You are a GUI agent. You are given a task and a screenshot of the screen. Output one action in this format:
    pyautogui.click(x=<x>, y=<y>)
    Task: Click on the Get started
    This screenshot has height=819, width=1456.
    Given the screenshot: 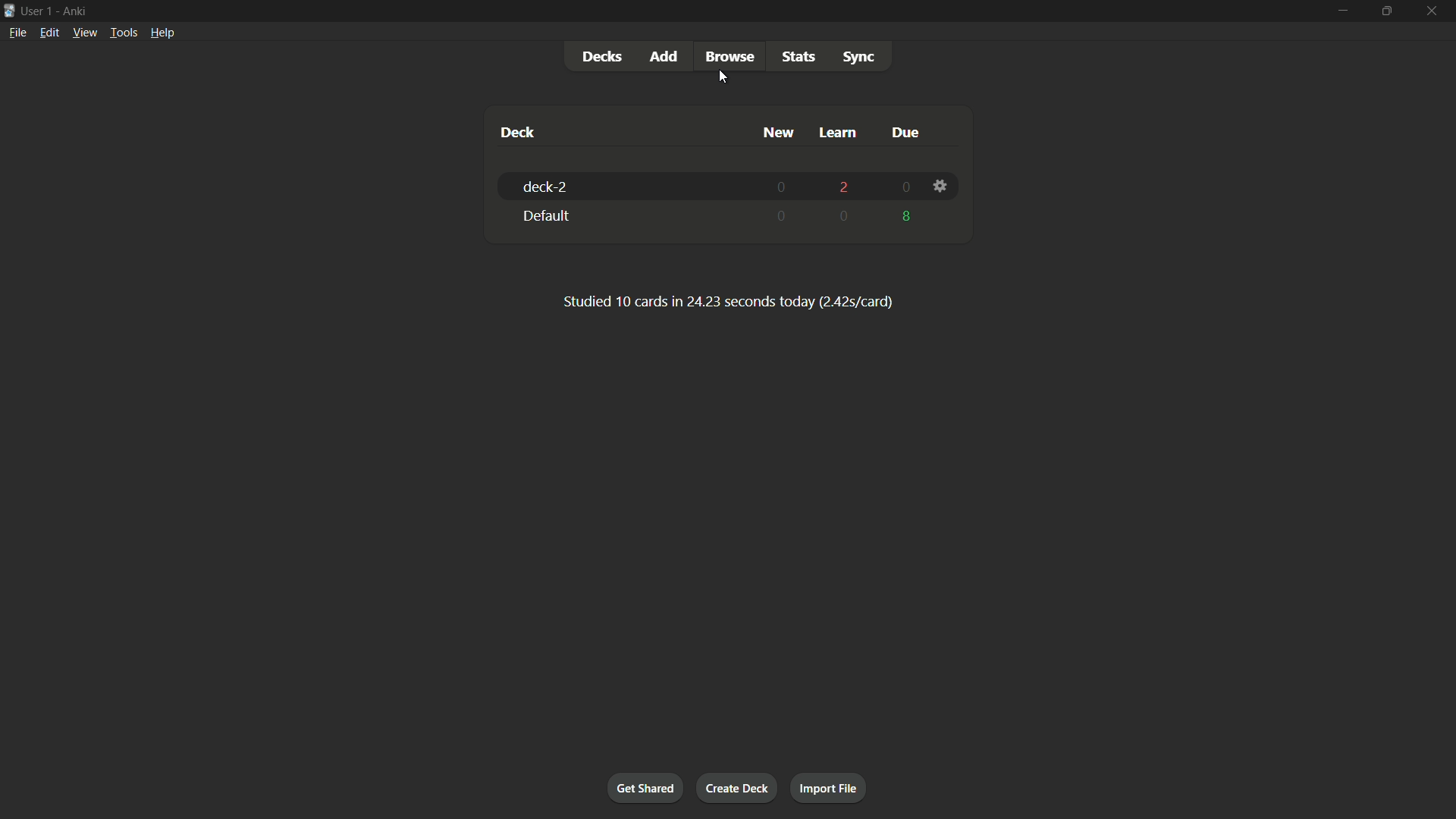 What is the action you would take?
    pyautogui.click(x=645, y=787)
    